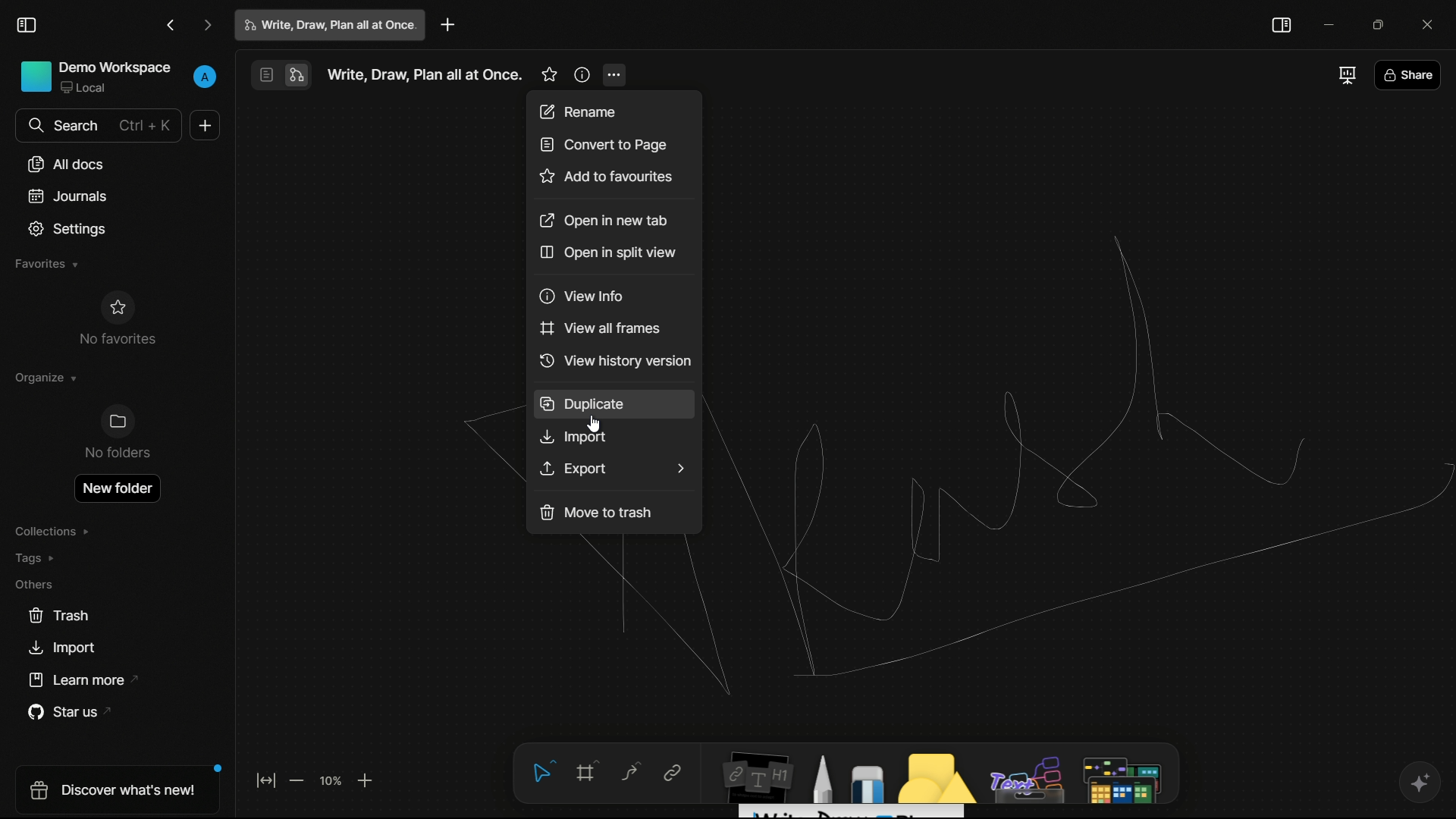  Describe the element at coordinates (39, 559) in the screenshot. I see `tags` at that location.